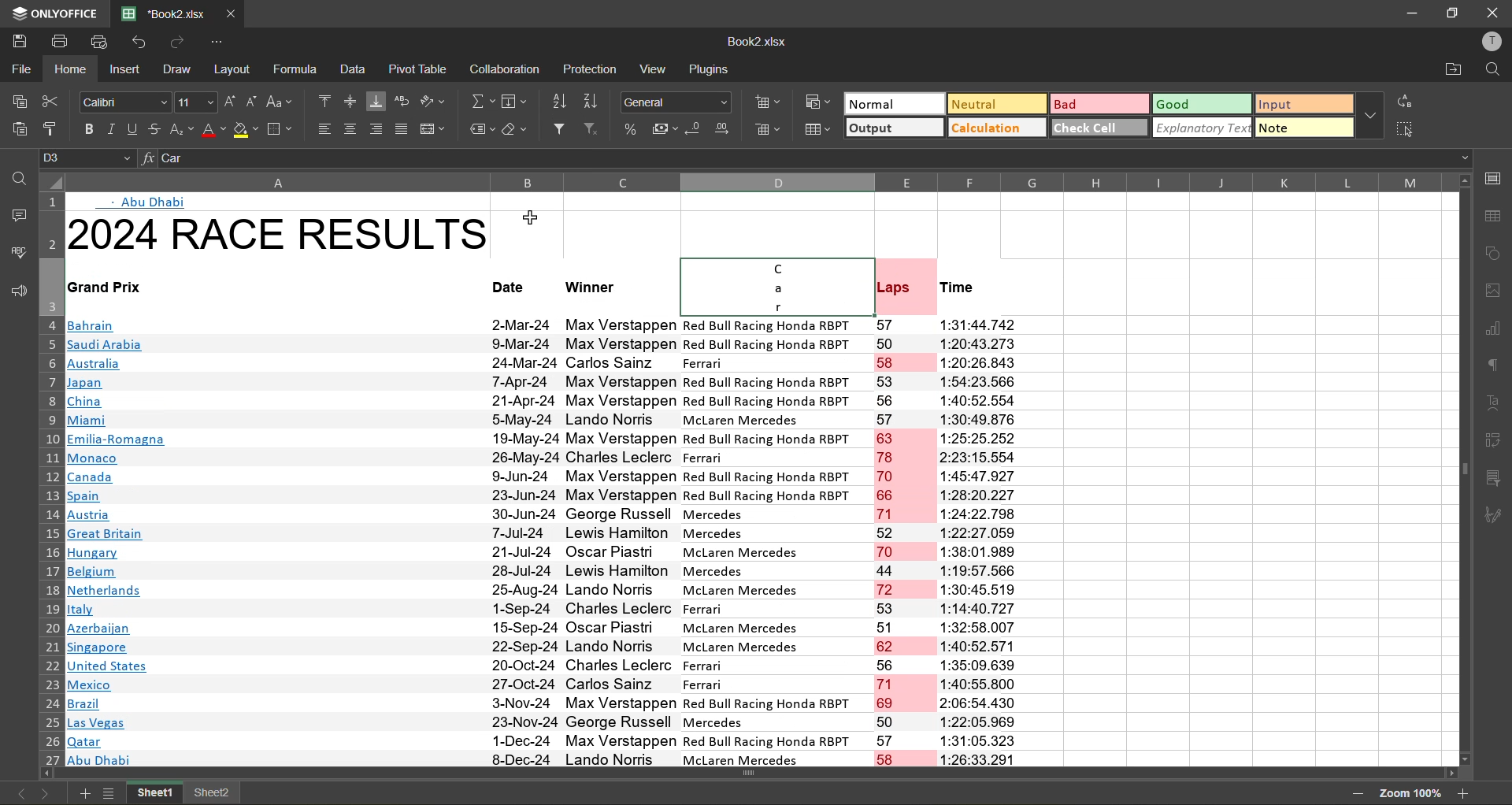 This screenshot has height=805, width=1512. I want to click on replace, so click(1409, 101).